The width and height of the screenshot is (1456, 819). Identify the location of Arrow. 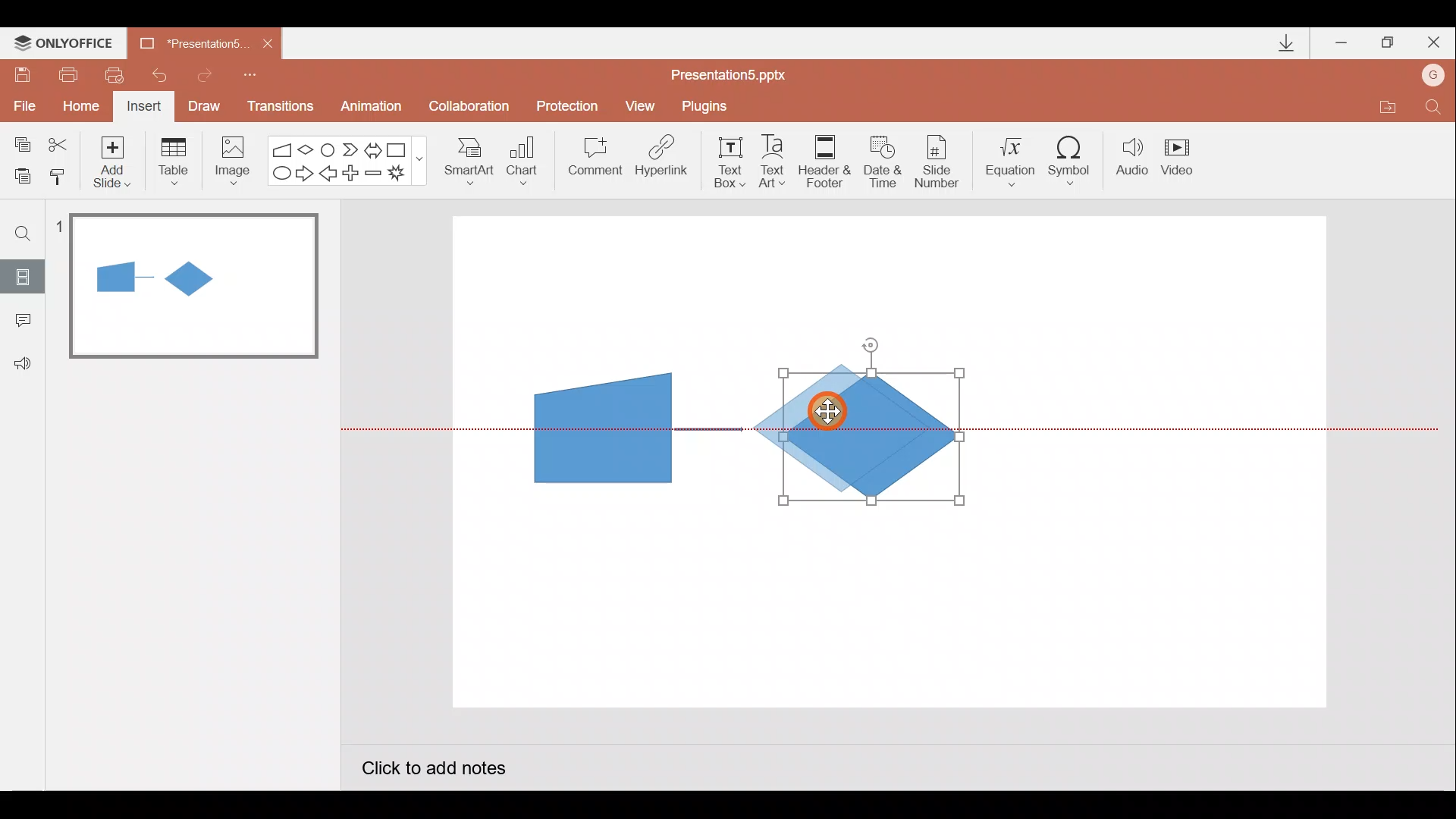
(709, 429).